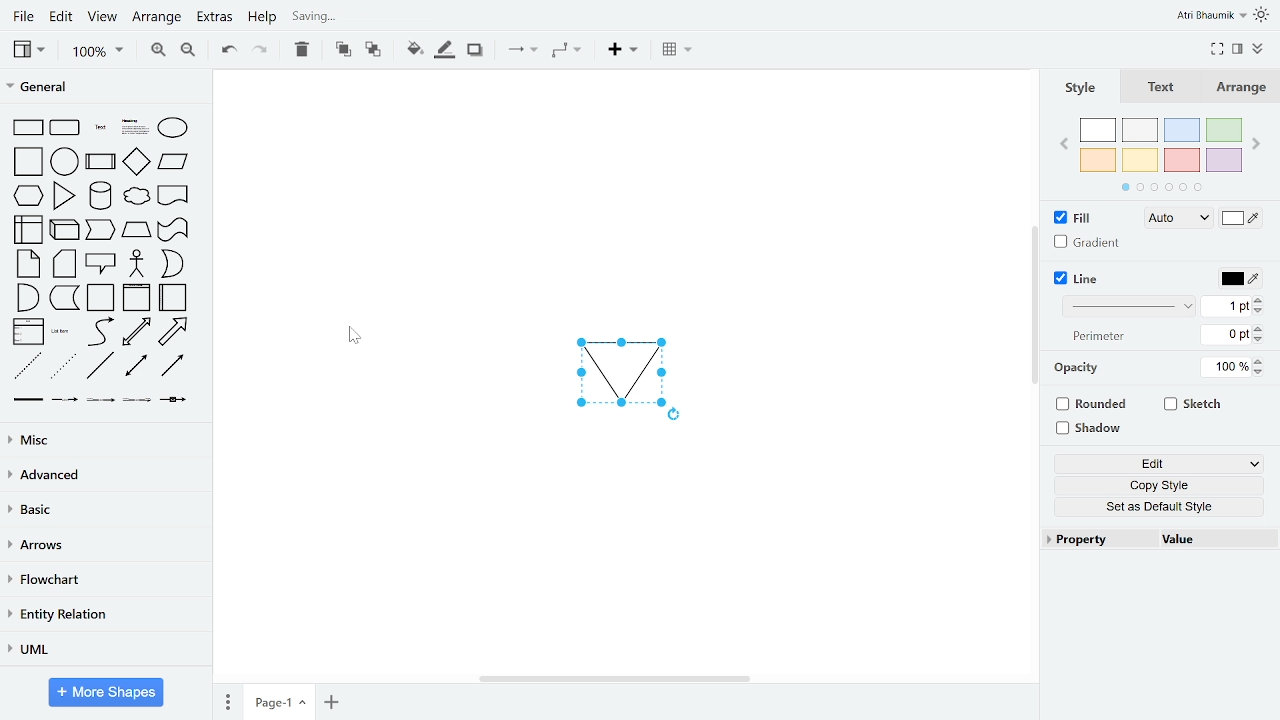  What do you see at coordinates (25, 128) in the screenshot?
I see `rectangle` at bounding box center [25, 128].